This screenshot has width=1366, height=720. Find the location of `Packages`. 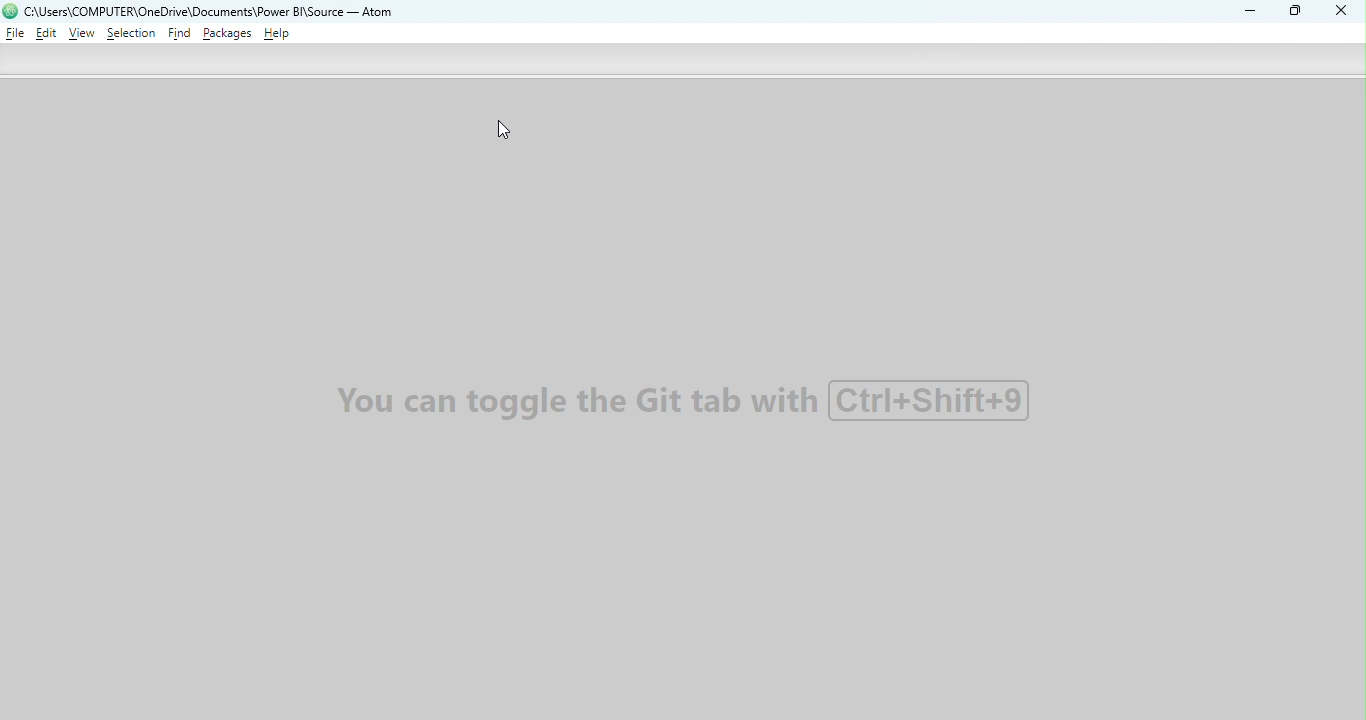

Packages is located at coordinates (228, 34).